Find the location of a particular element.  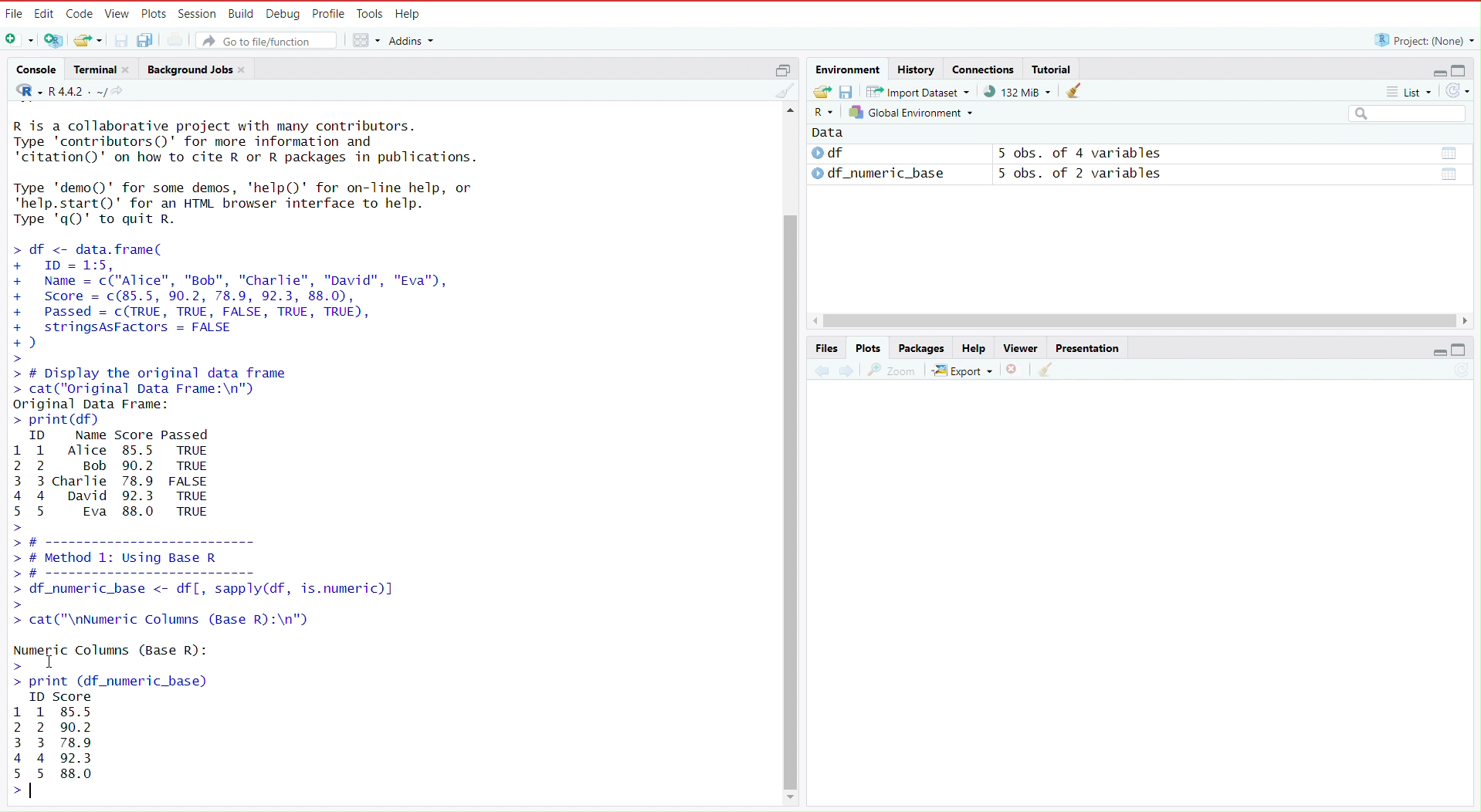

5 obs. of 2 variables is located at coordinates (1087, 175).